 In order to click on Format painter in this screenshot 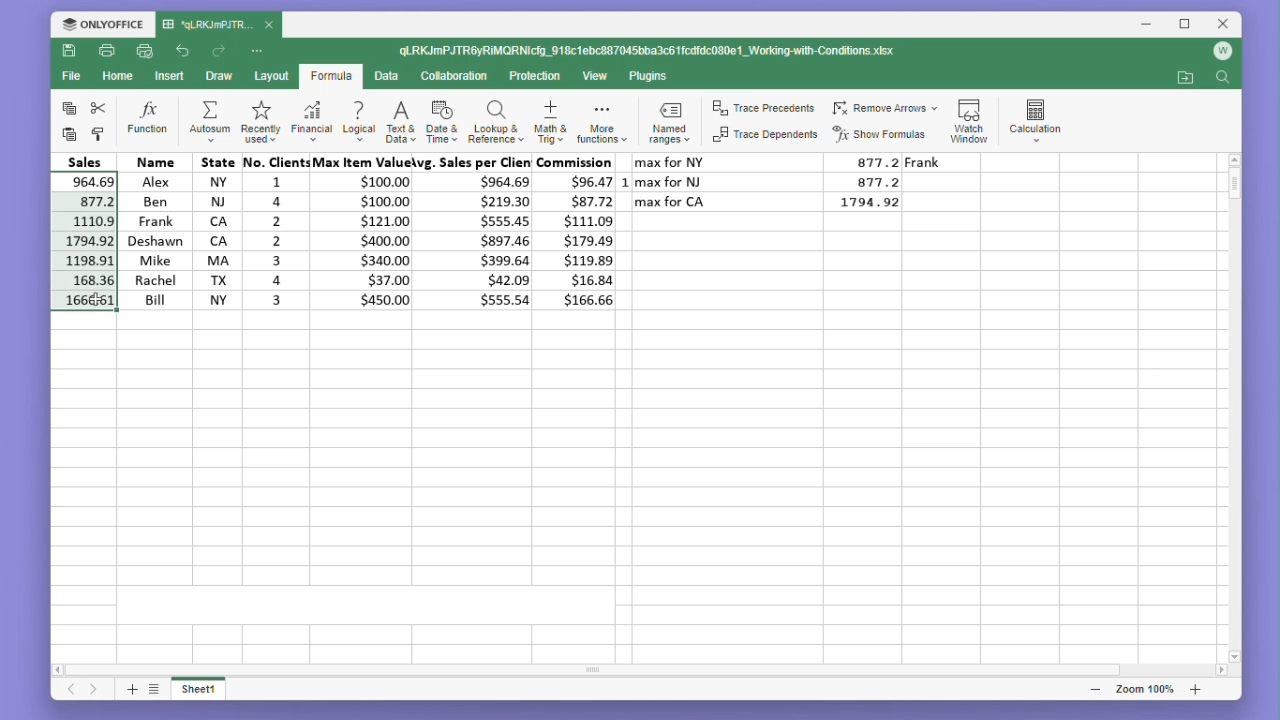, I will do `click(98, 135)`.